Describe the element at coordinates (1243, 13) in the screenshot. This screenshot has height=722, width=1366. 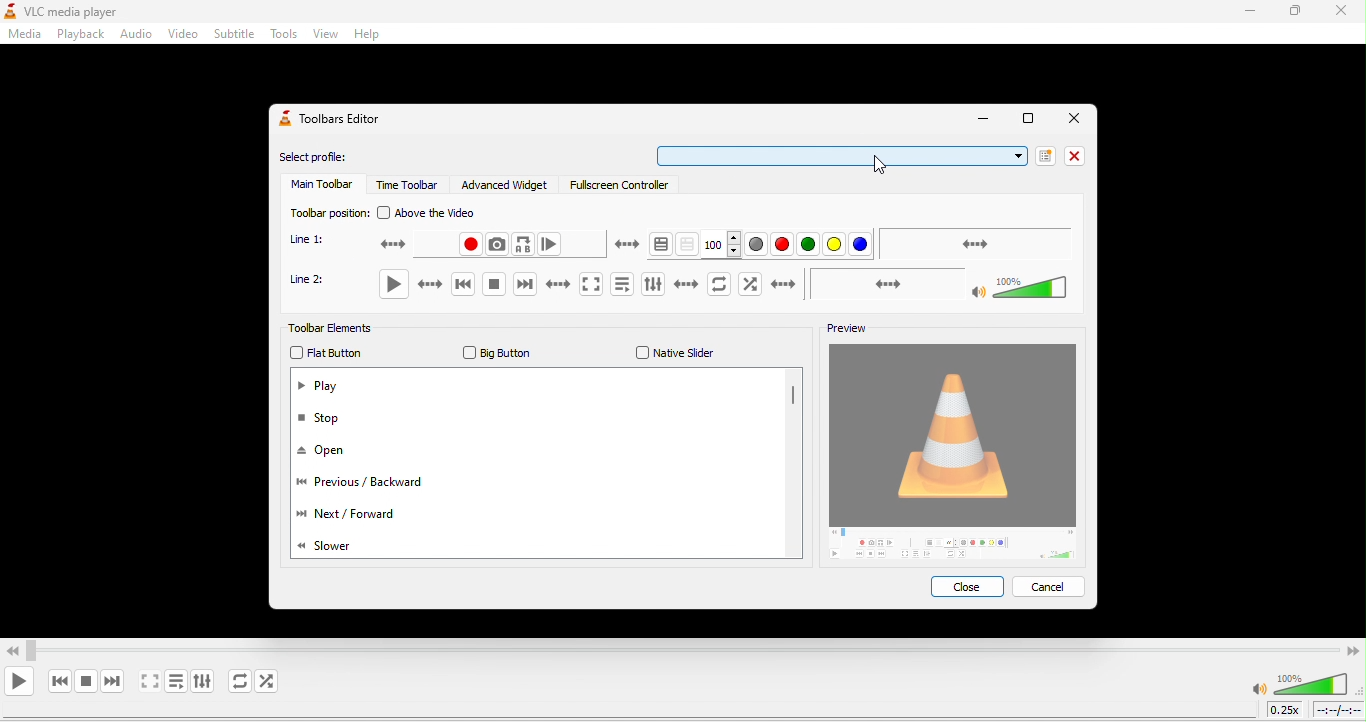
I see `minimize` at that location.